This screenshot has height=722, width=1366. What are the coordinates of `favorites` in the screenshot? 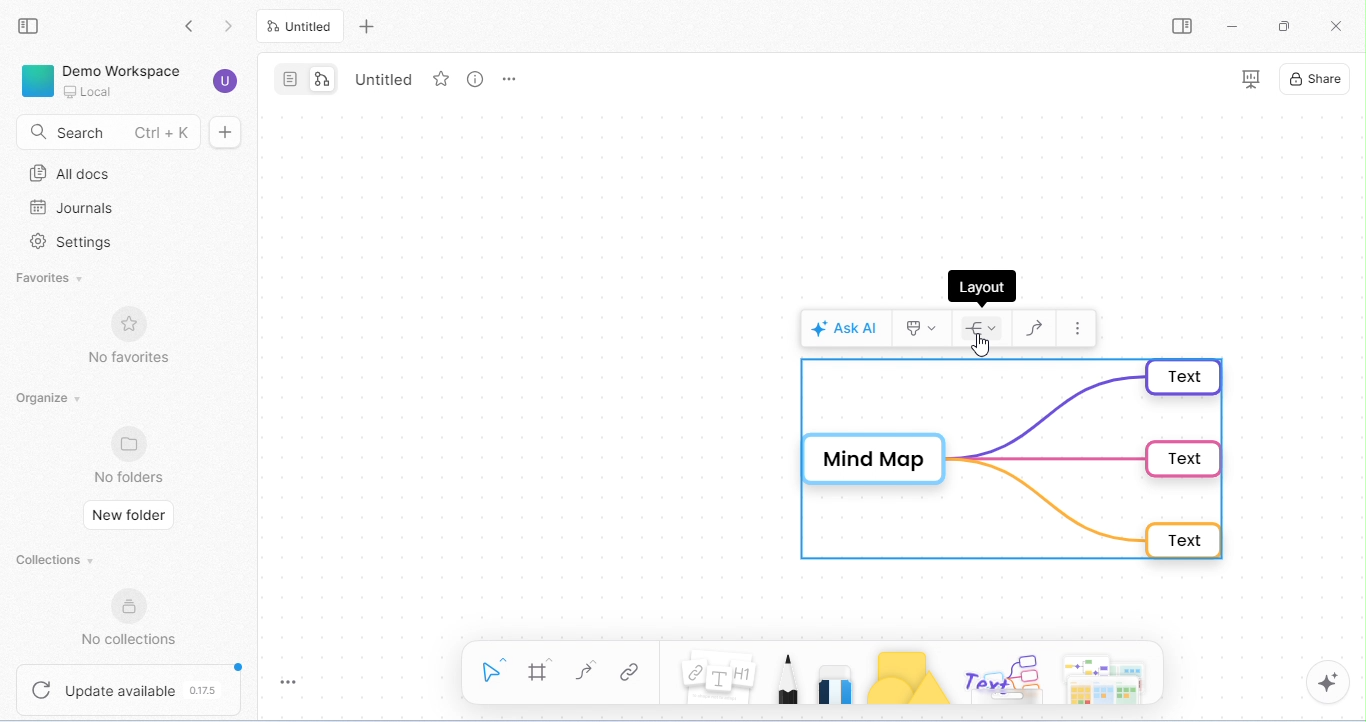 It's located at (56, 278).